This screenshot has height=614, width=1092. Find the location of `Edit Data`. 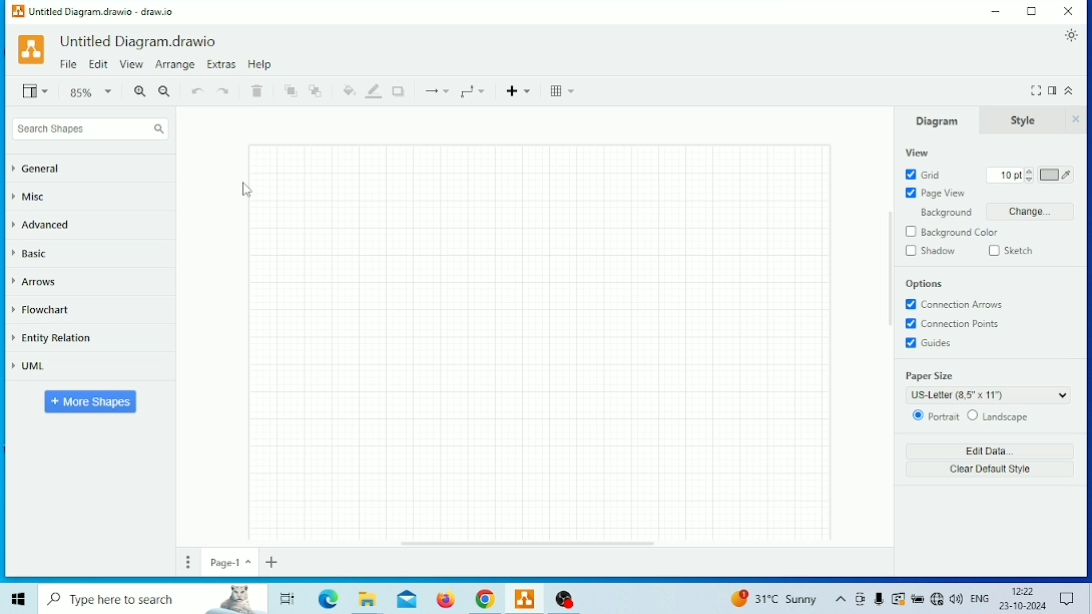

Edit Data is located at coordinates (989, 450).